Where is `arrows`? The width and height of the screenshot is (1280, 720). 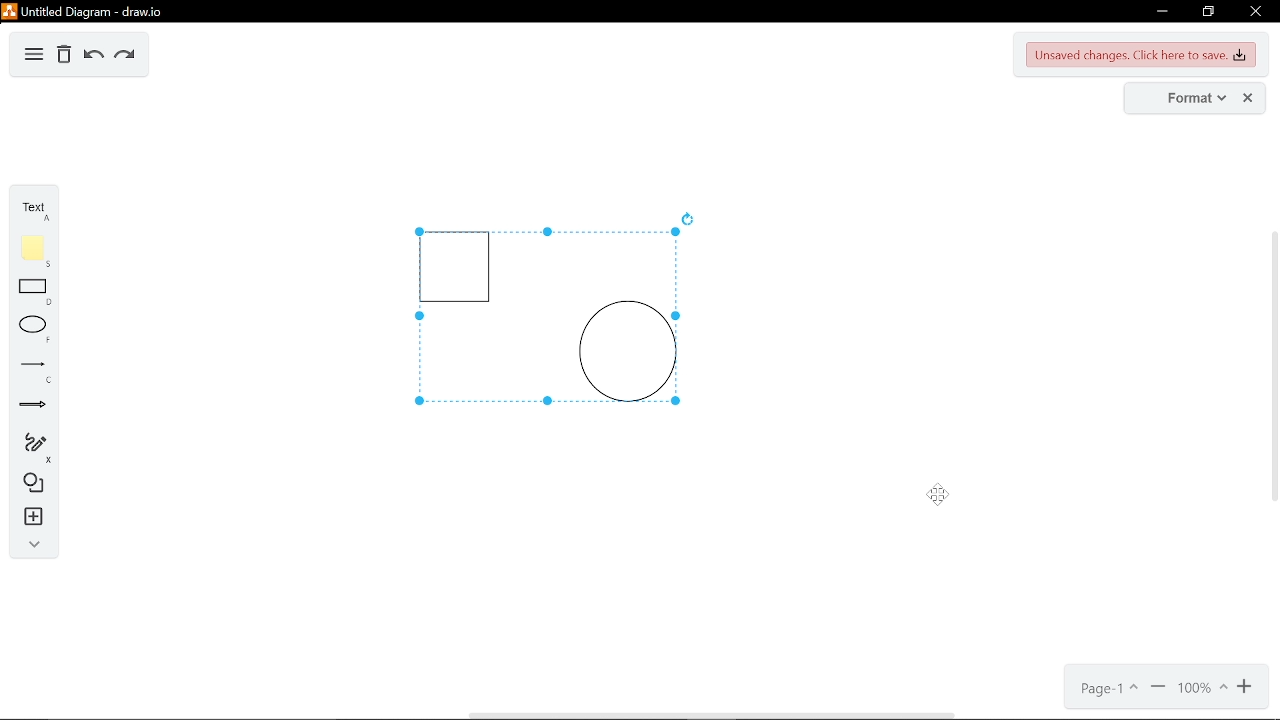
arrows is located at coordinates (33, 407).